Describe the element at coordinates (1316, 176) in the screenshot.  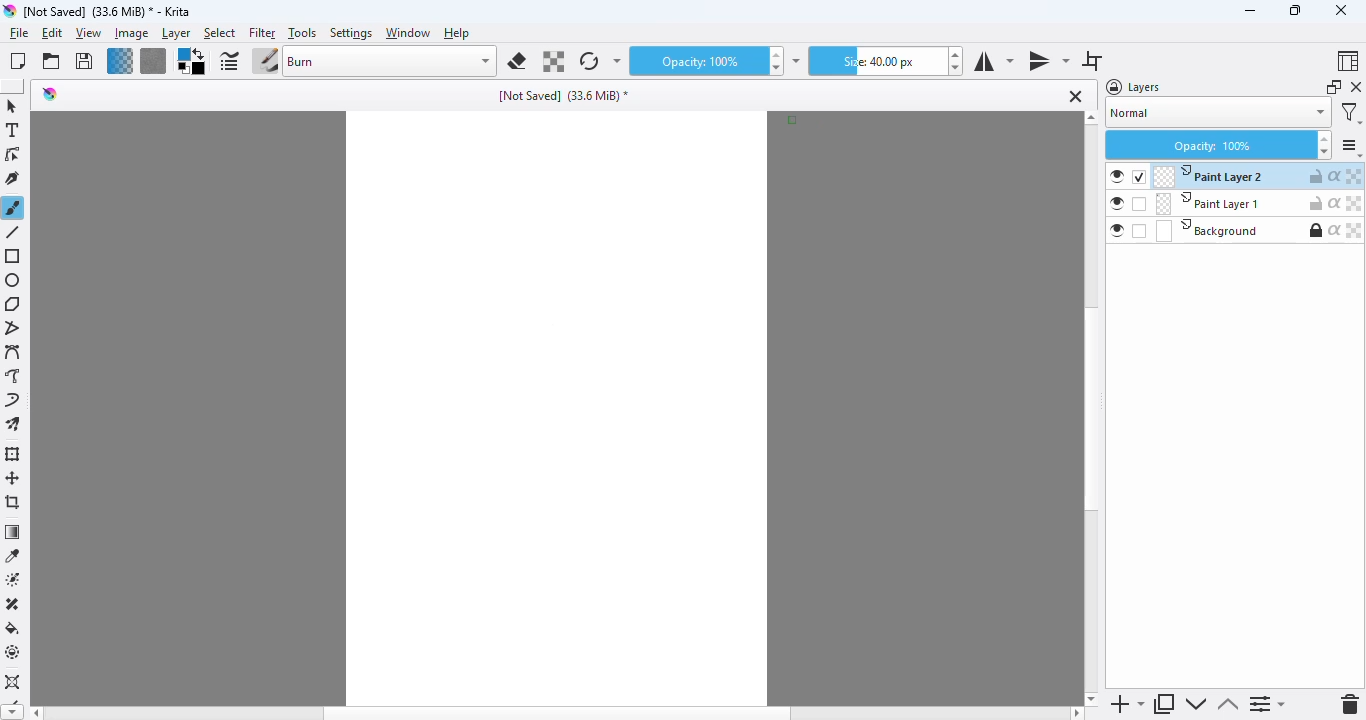
I see `unlocked` at that location.